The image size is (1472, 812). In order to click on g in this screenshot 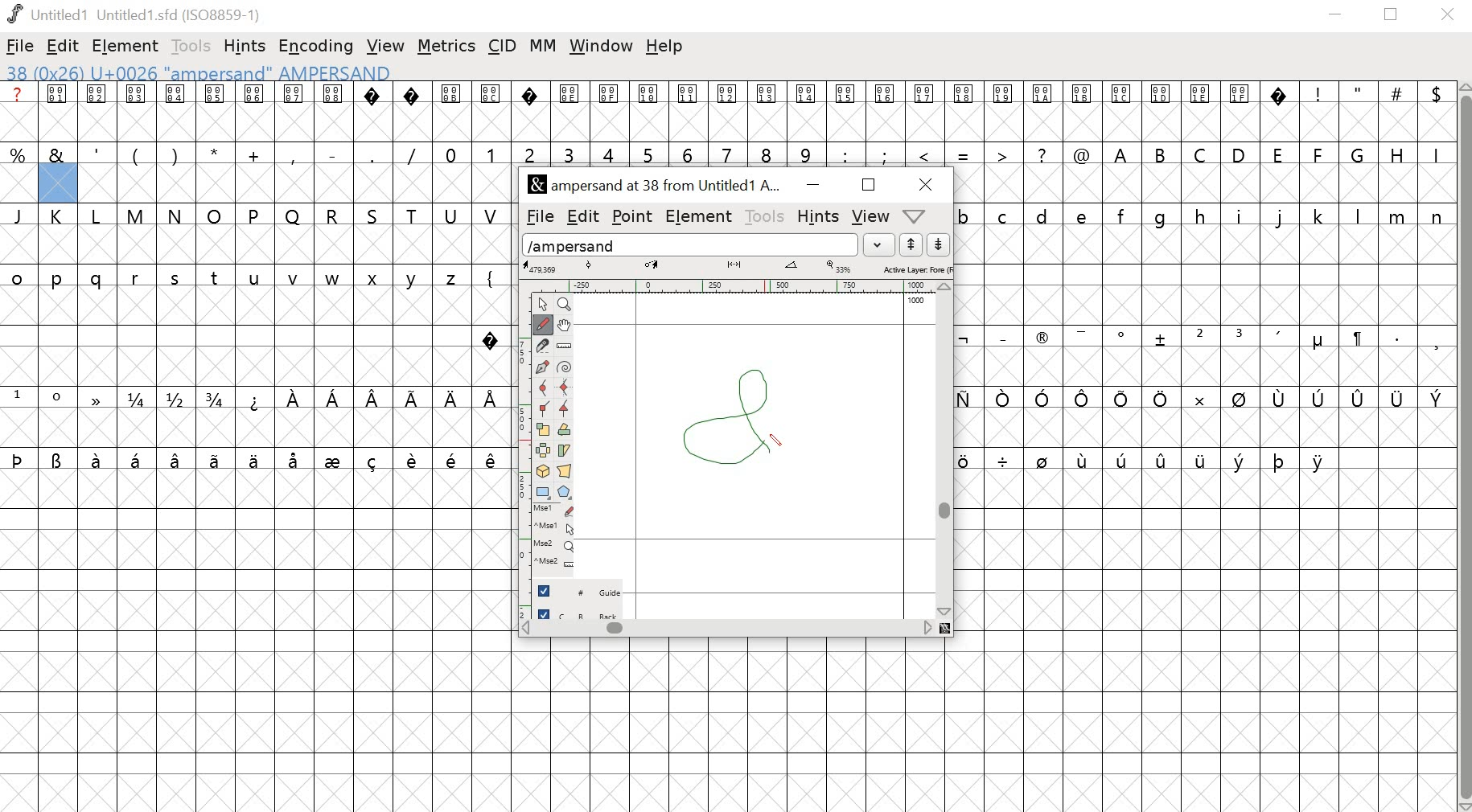, I will do `click(1165, 216)`.